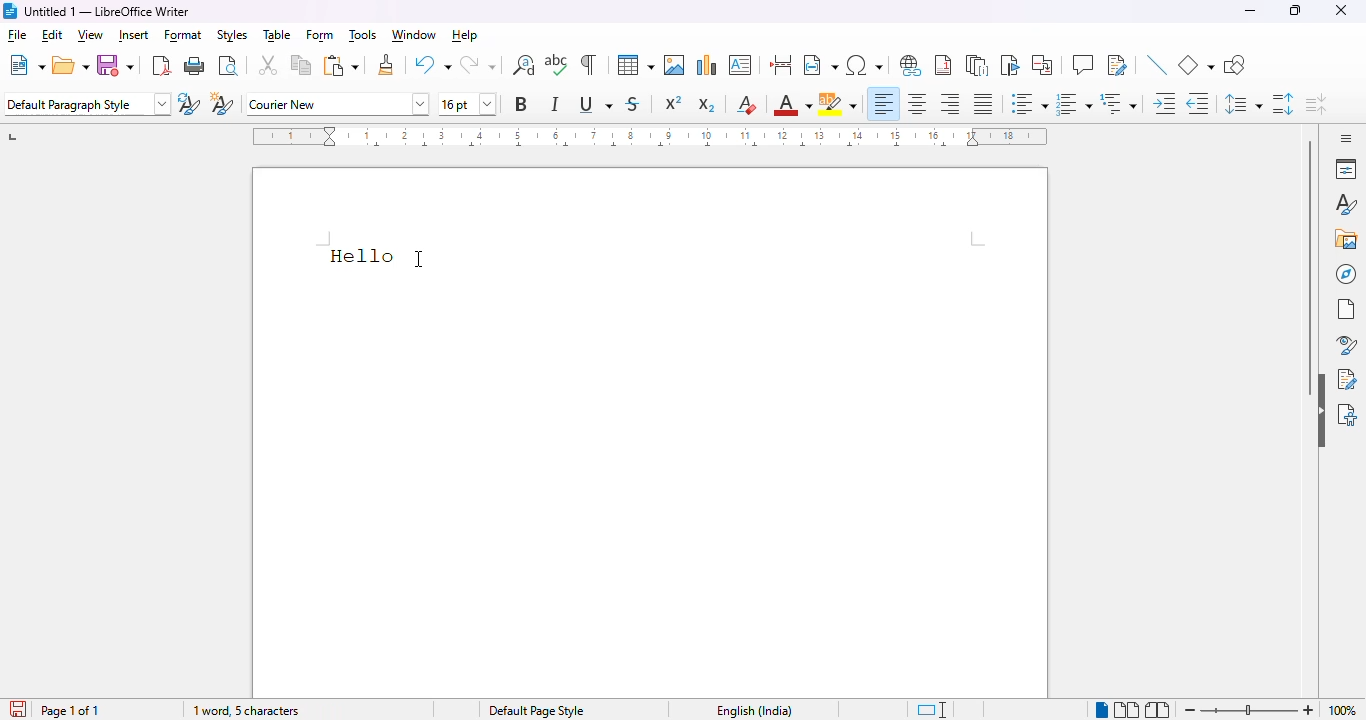 The height and width of the screenshot is (720, 1366). What do you see at coordinates (636, 64) in the screenshot?
I see `insert table` at bounding box center [636, 64].